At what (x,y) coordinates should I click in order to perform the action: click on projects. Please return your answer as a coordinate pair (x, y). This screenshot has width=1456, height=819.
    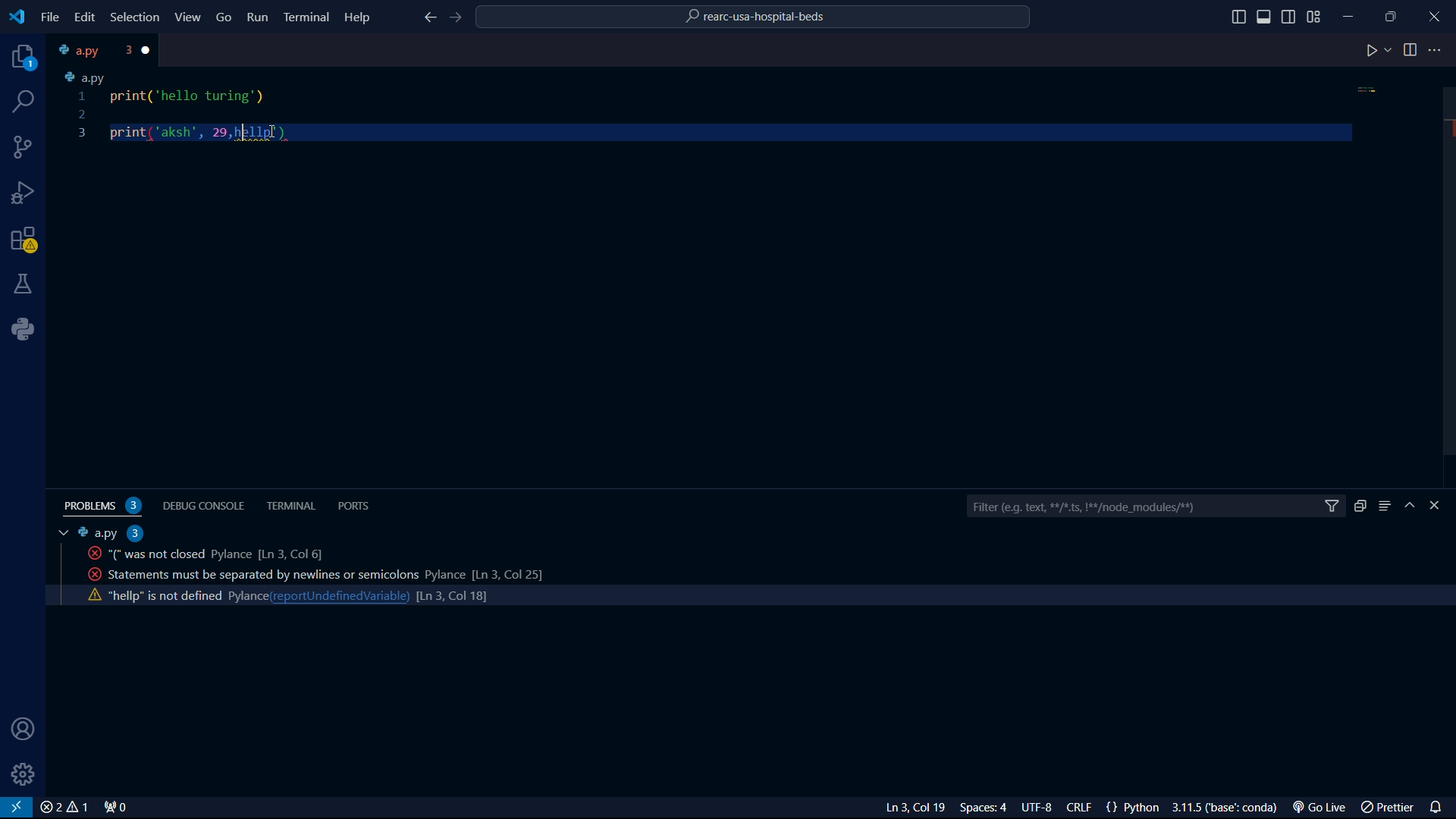
    Looking at the image, I should click on (24, 60).